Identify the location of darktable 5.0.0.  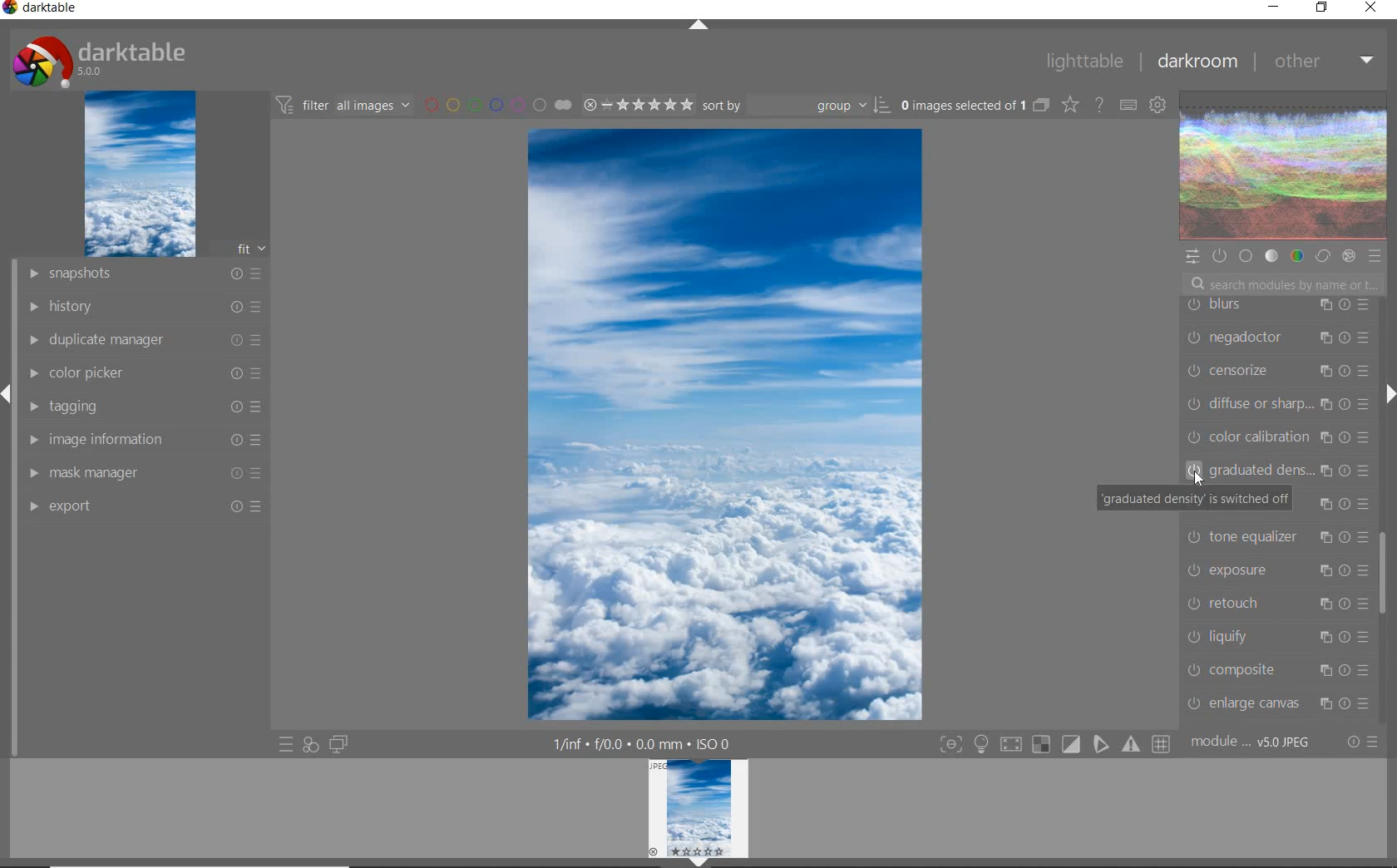
(96, 58).